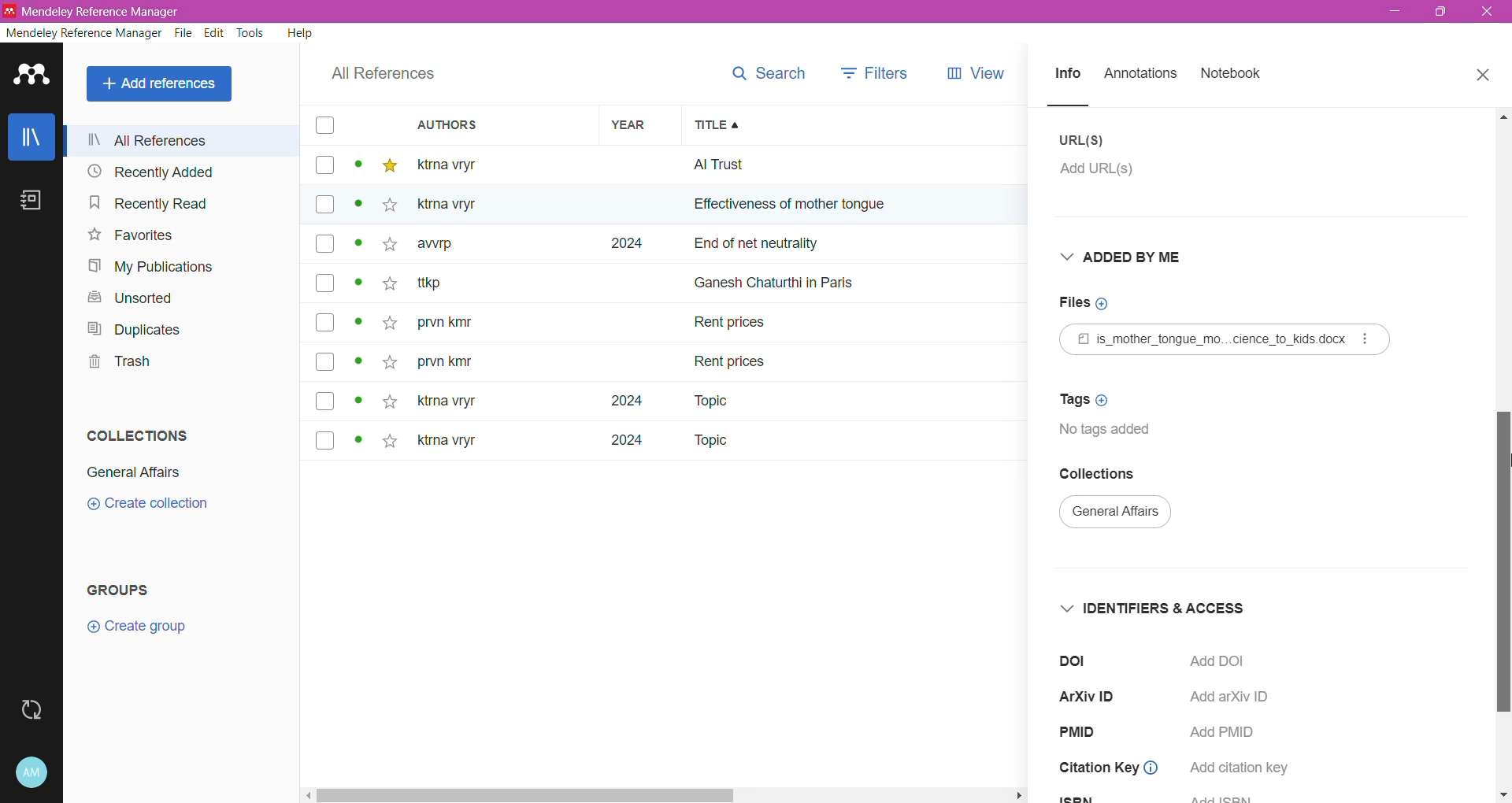 The image size is (1512, 803). I want to click on Recently Read, so click(166, 202).